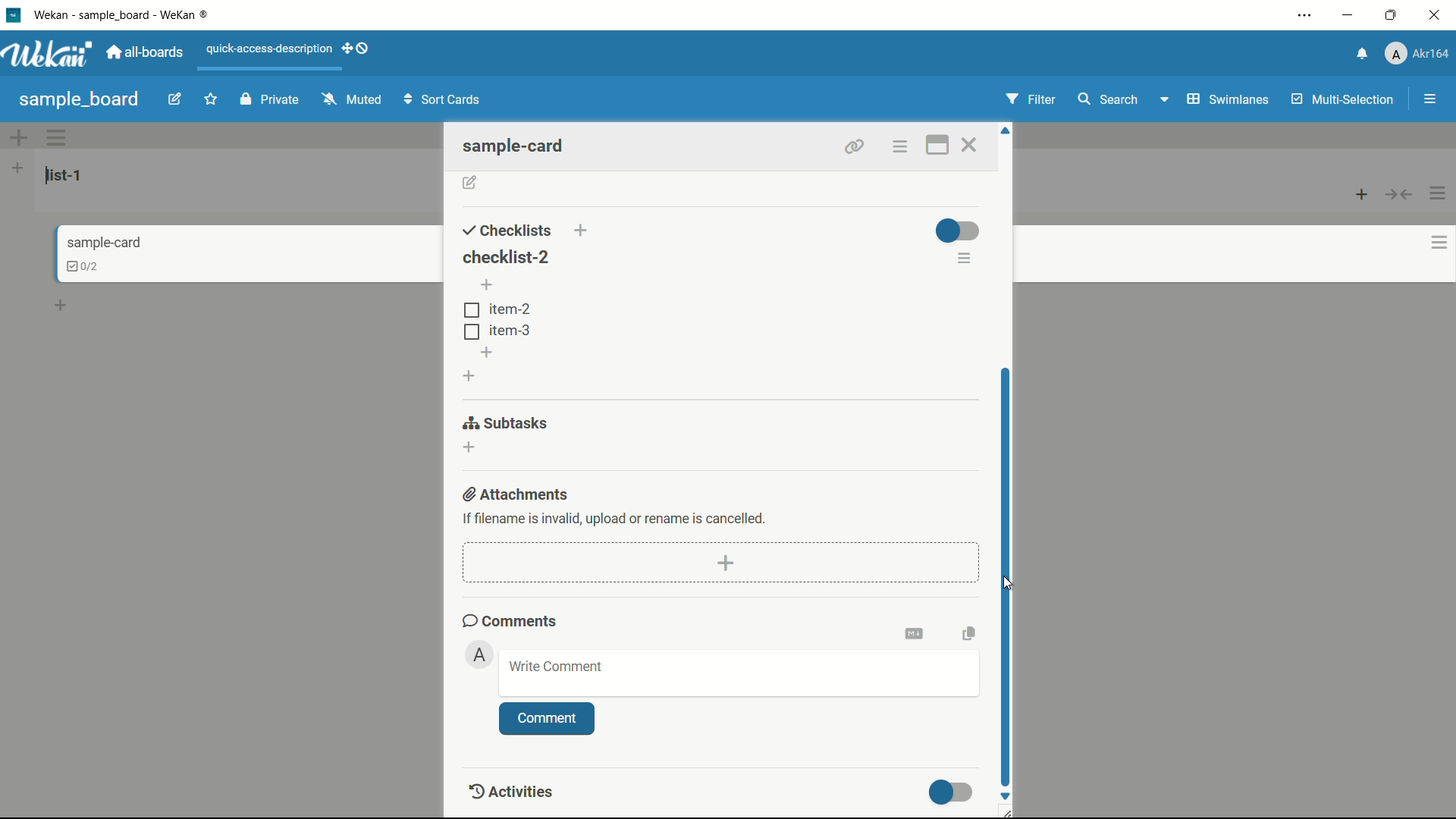 The width and height of the screenshot is (1456, 819). Describe the element at coordinates (504, 256) in the screenshot. I see `checklist-2` at that location.